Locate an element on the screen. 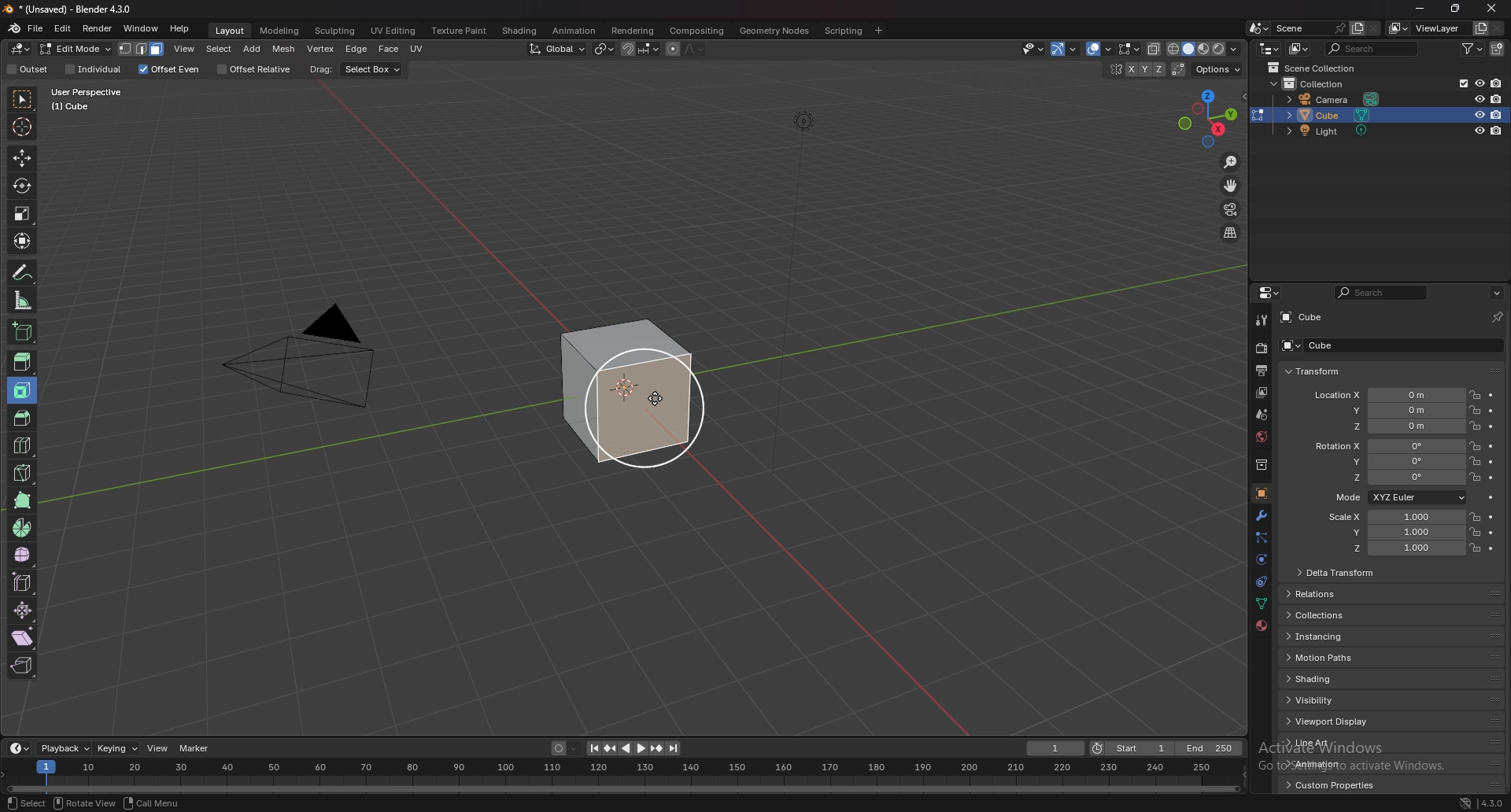 Image resolution: width=1511 pixels, height=812 pixels. inset faces is located at coordinates (23, 391).